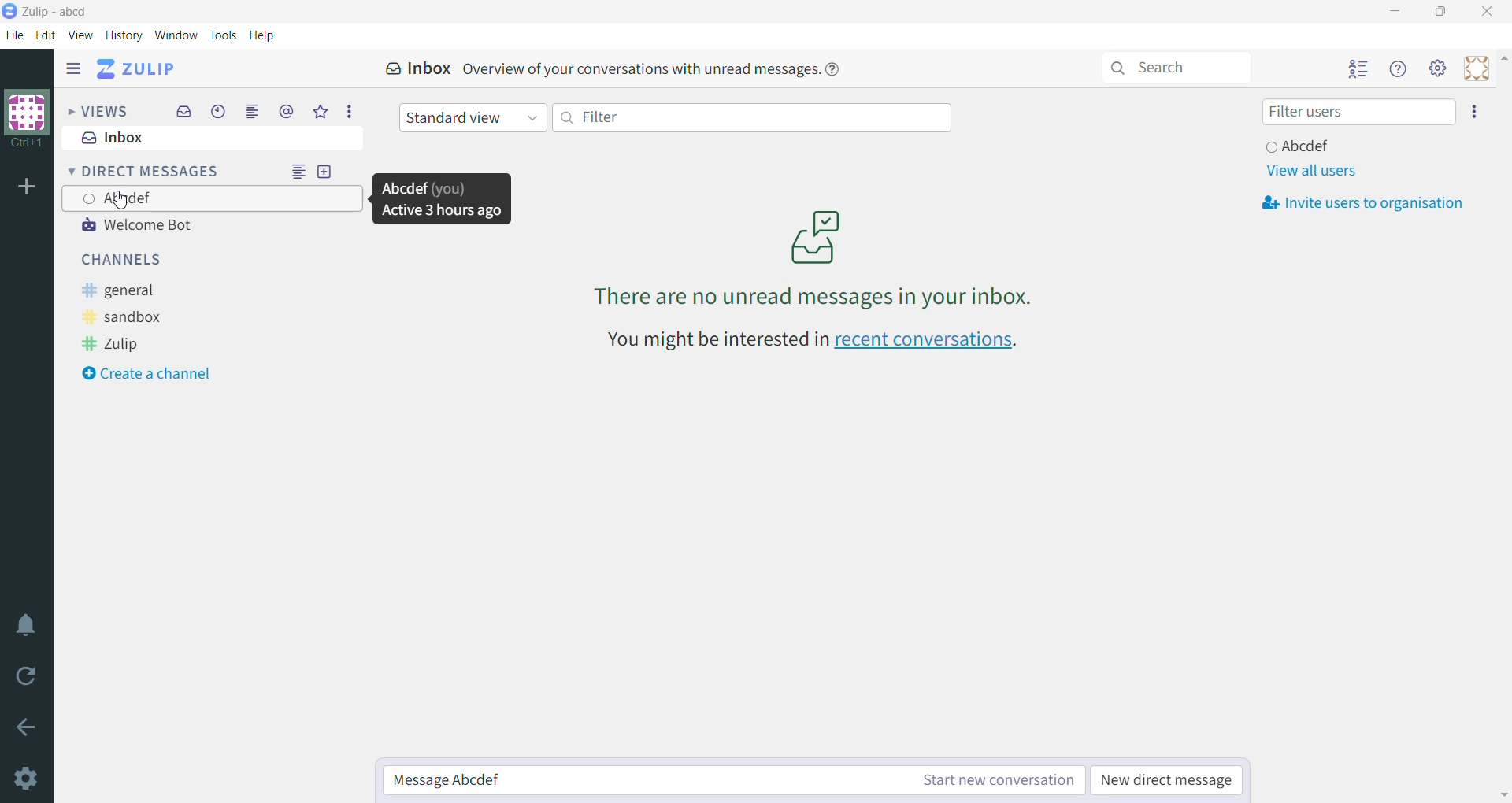  What do you see at coordinates (15, 36) in the screenshot?
I see `File` at bounding box center [15, 36].